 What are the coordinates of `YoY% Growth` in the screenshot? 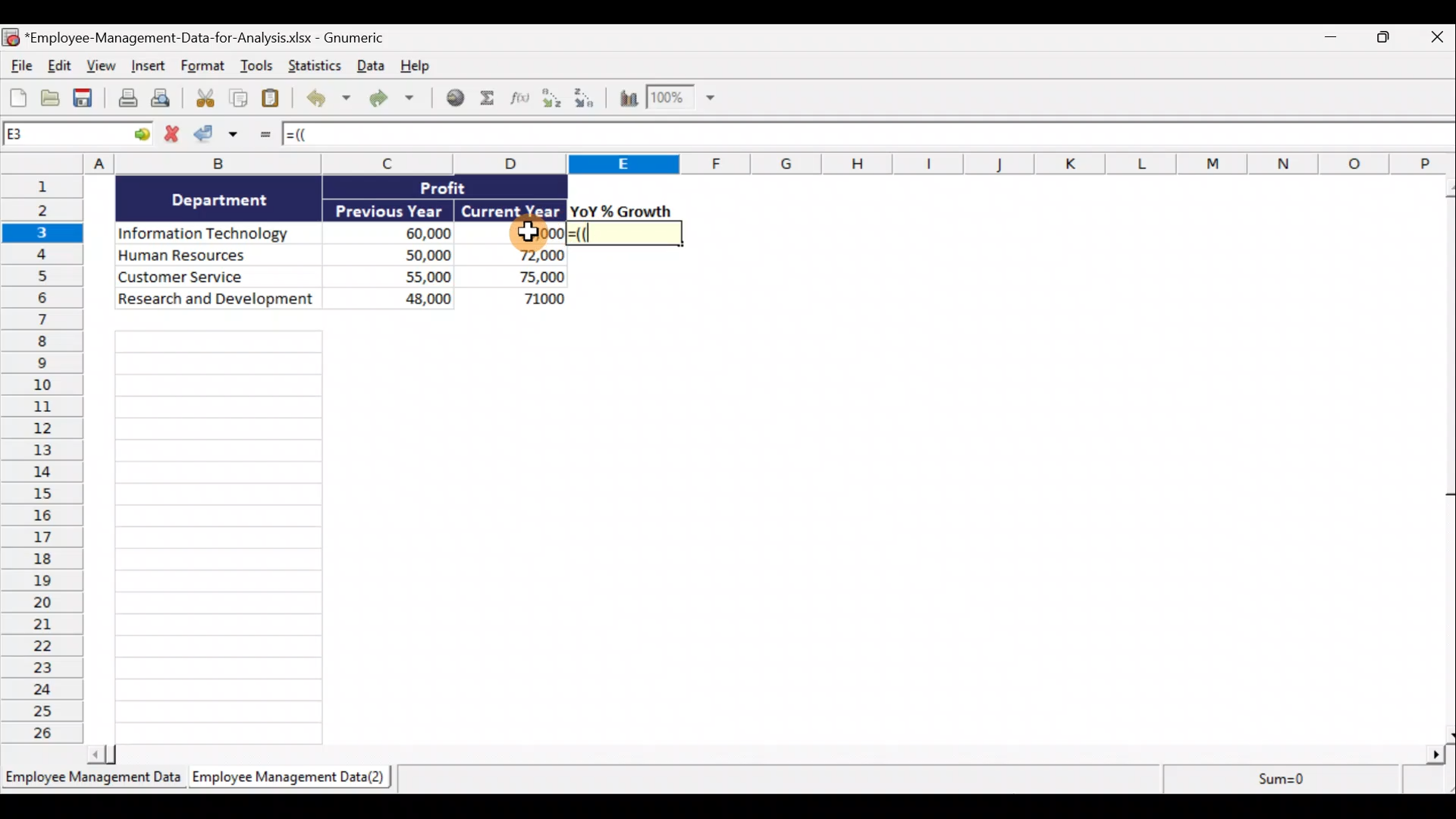 It's located at (622, 211).